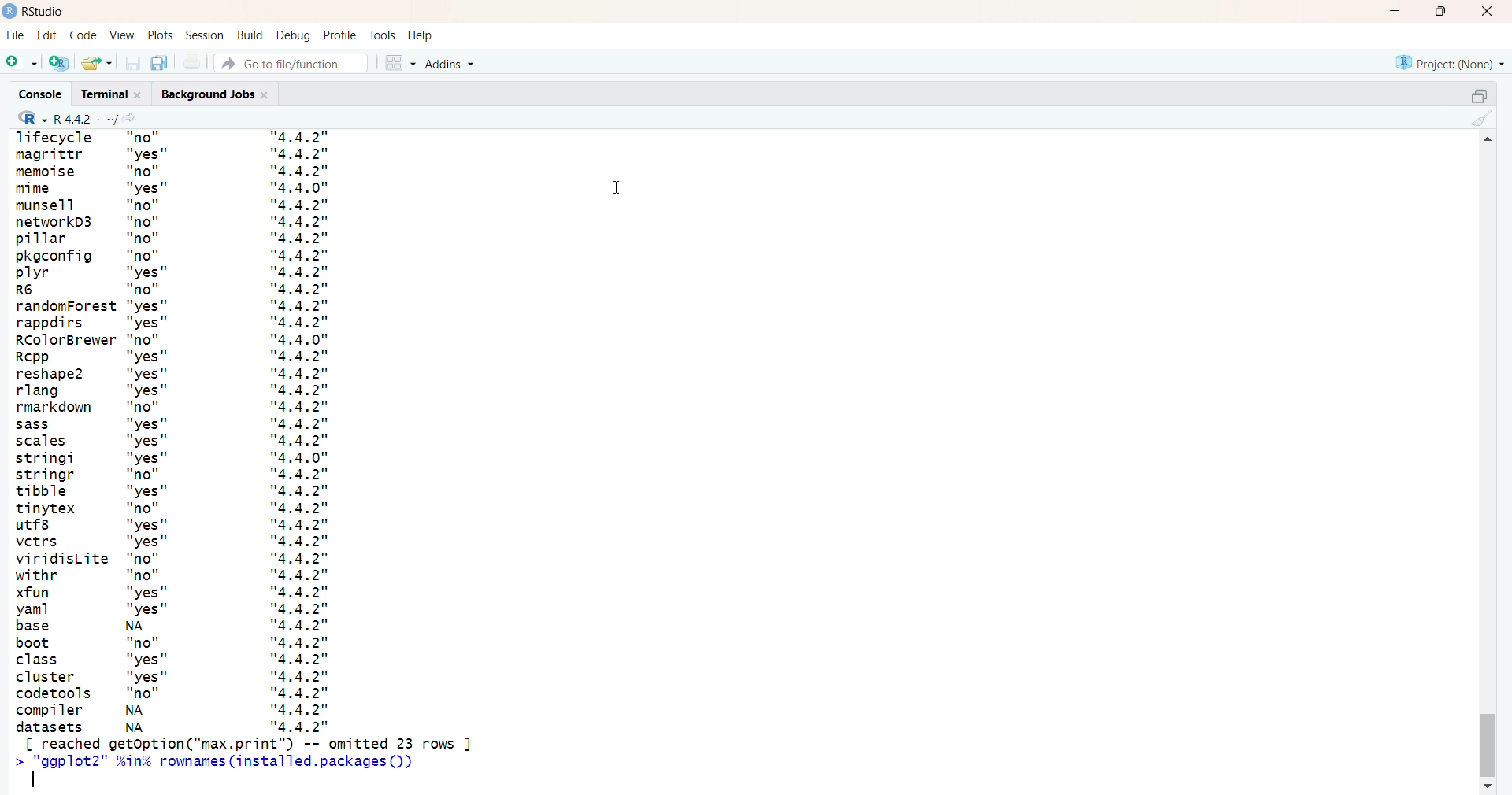 Image resolution: width=1512 pixels, height=795 pixels. Describe the element at coordinates (251, 35) in the screenshot. I see `build` at that location.